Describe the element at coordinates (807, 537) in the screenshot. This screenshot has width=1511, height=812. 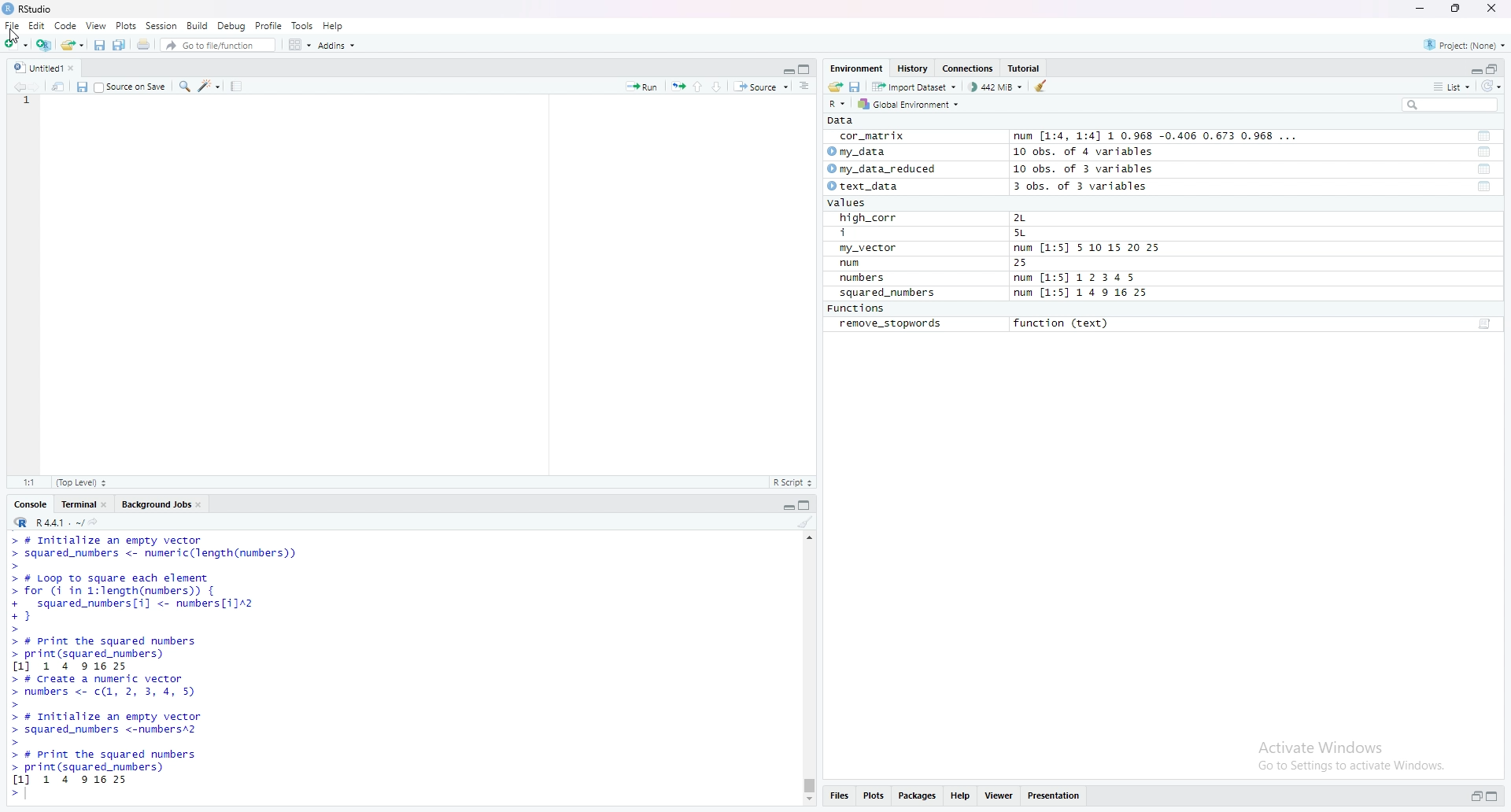
I see `Scrollbar up` at that location.